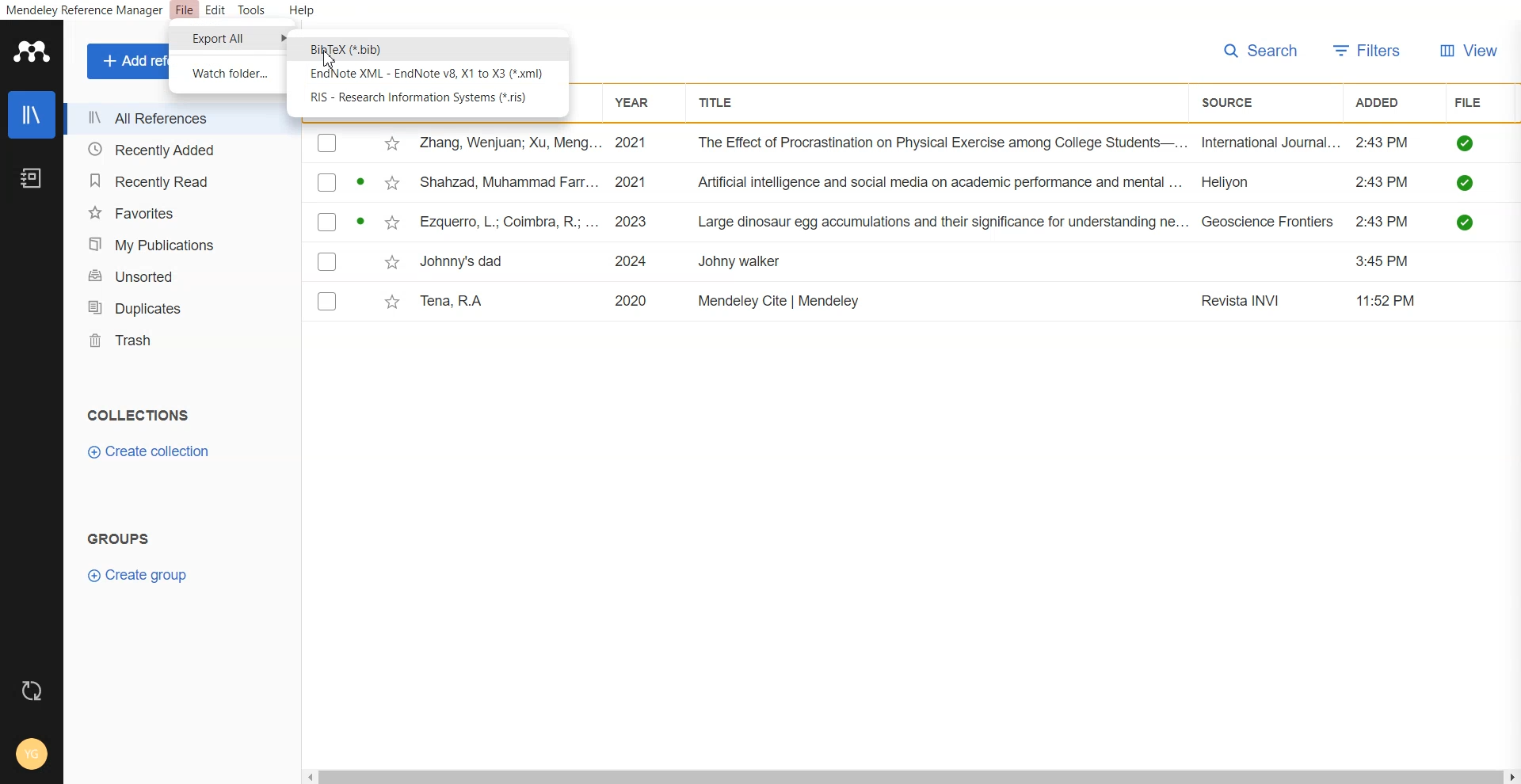 Image resolution: width=1521 pixels, height=784 pixels. I want to click on My Publication, so click(177, 243).